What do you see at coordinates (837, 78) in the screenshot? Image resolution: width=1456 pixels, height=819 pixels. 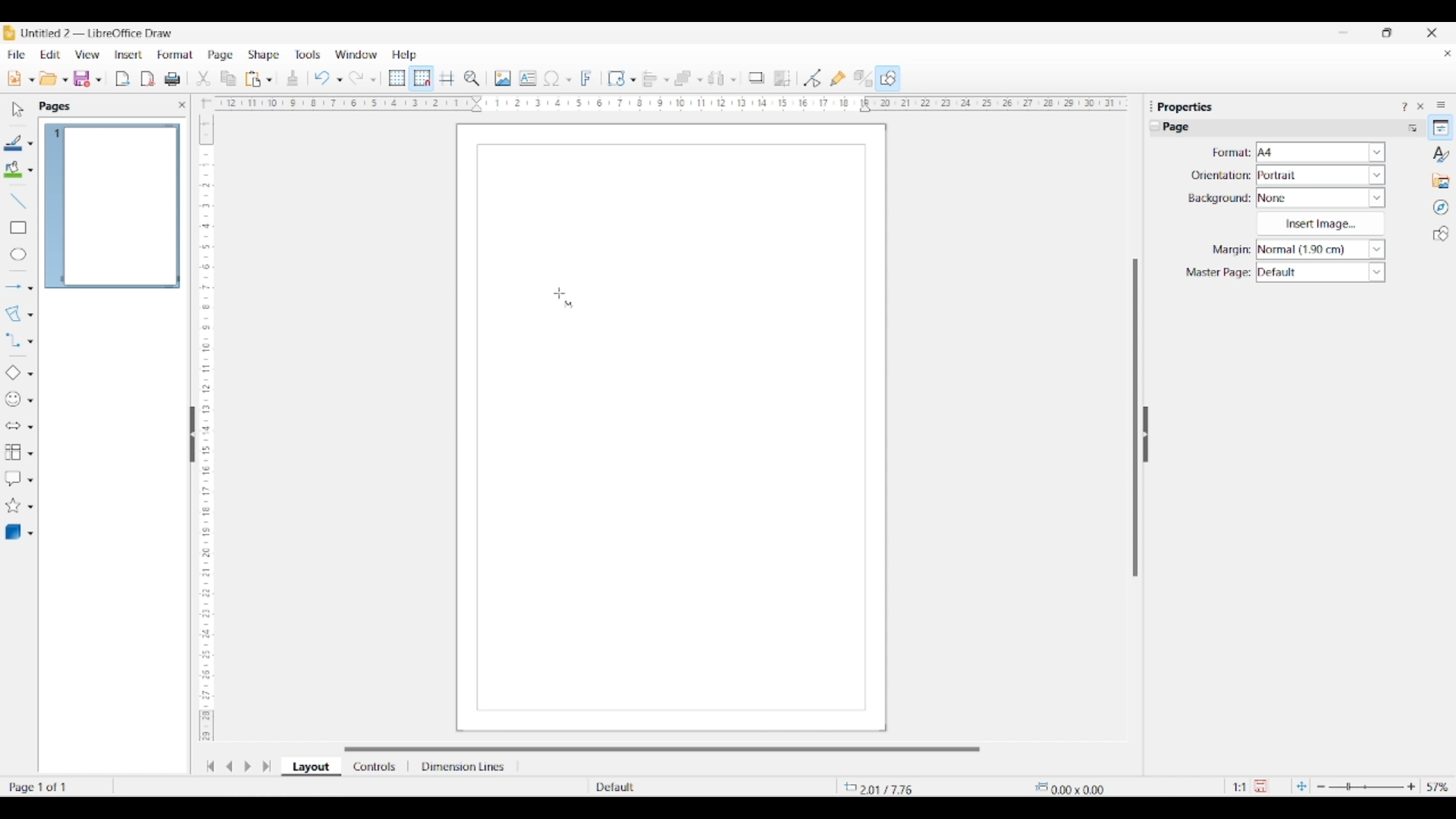 I see `Show gluepoint options` at bounding box center [837, 78].